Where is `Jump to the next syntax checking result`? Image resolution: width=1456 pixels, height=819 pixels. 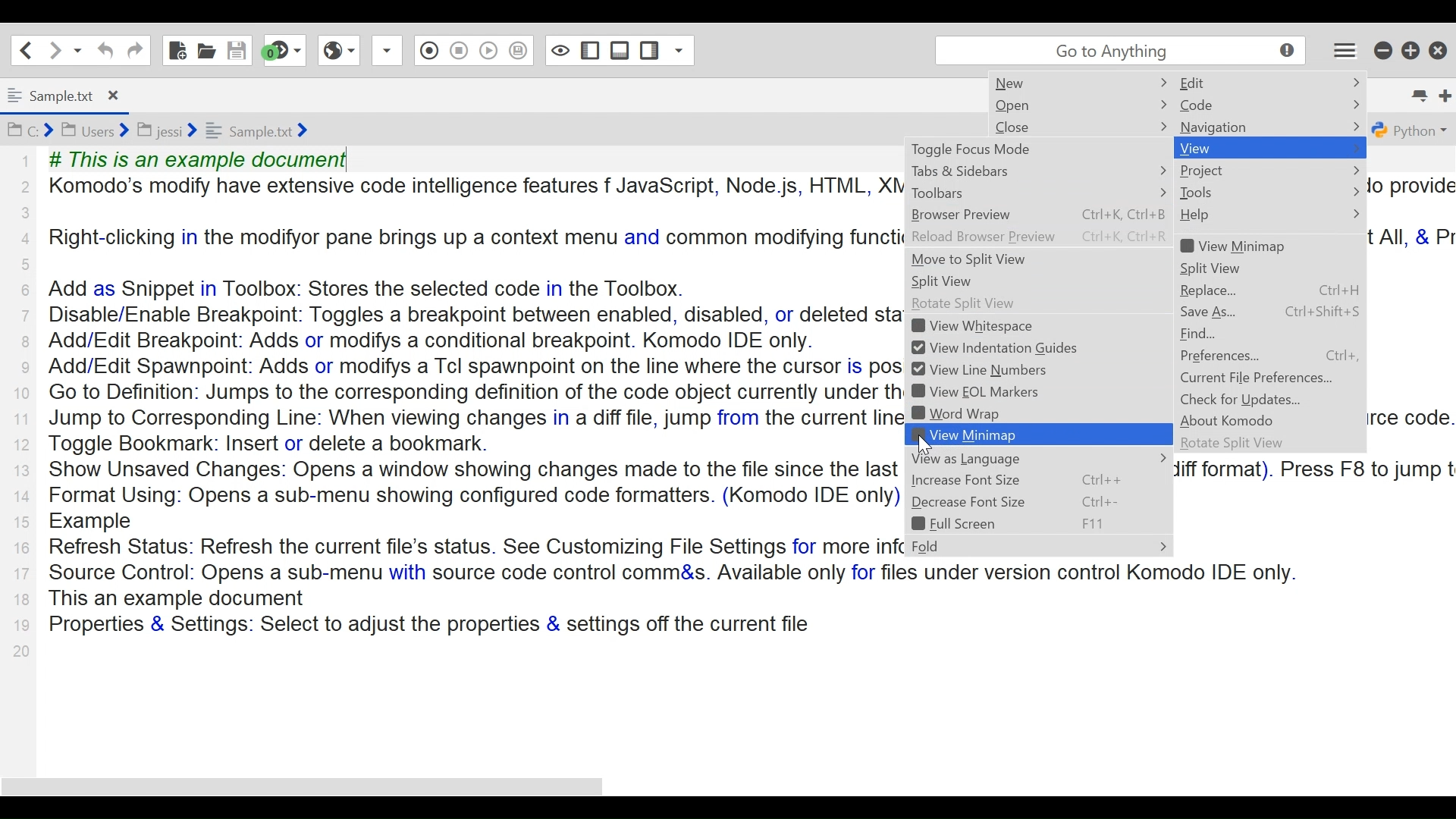
Jump to the next syntax checking result is located at coordinates (286, 50).